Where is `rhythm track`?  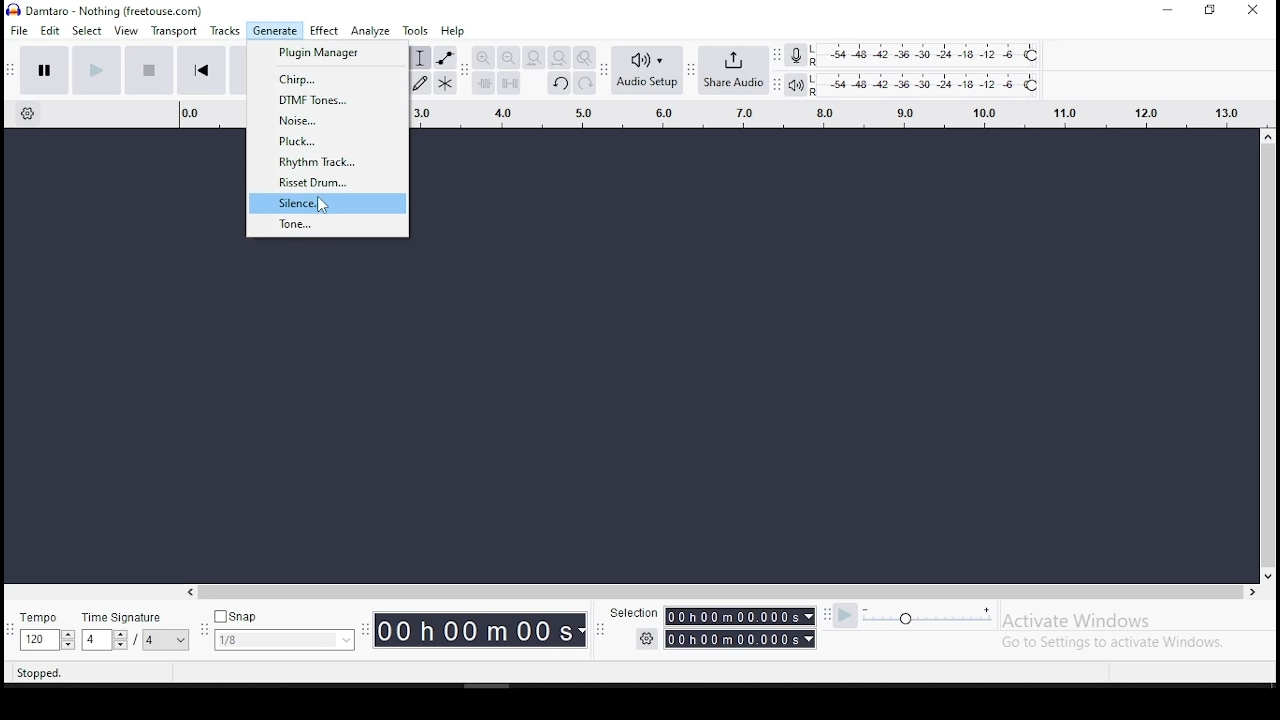 rhythm track is located at coordinates (328, 161).